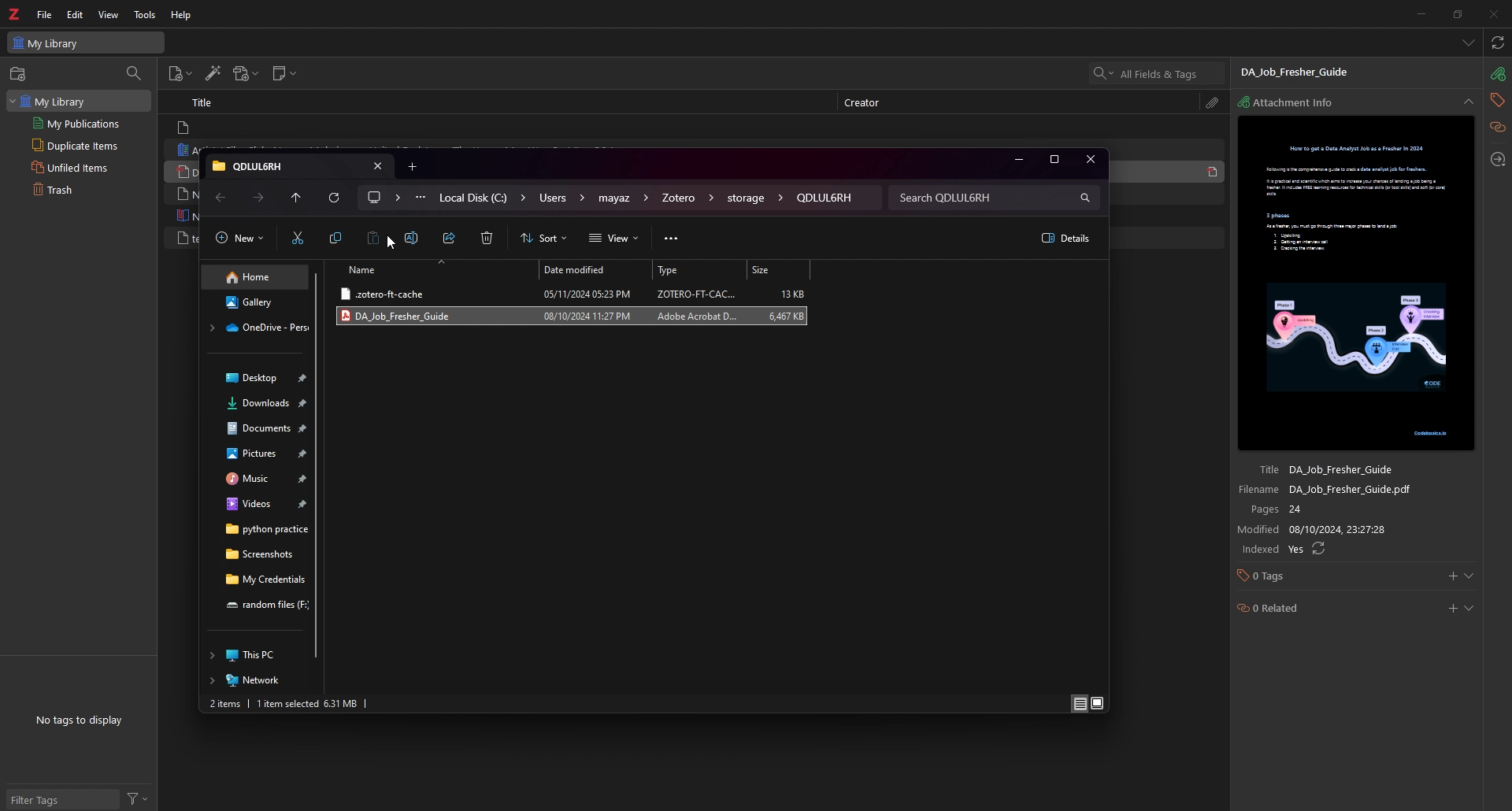 The width and height of the screenshot is (1512, 811). What do you see at coordinates (259, 428) in the screenshot?
I see `documents` at bounding box center [259, 428].